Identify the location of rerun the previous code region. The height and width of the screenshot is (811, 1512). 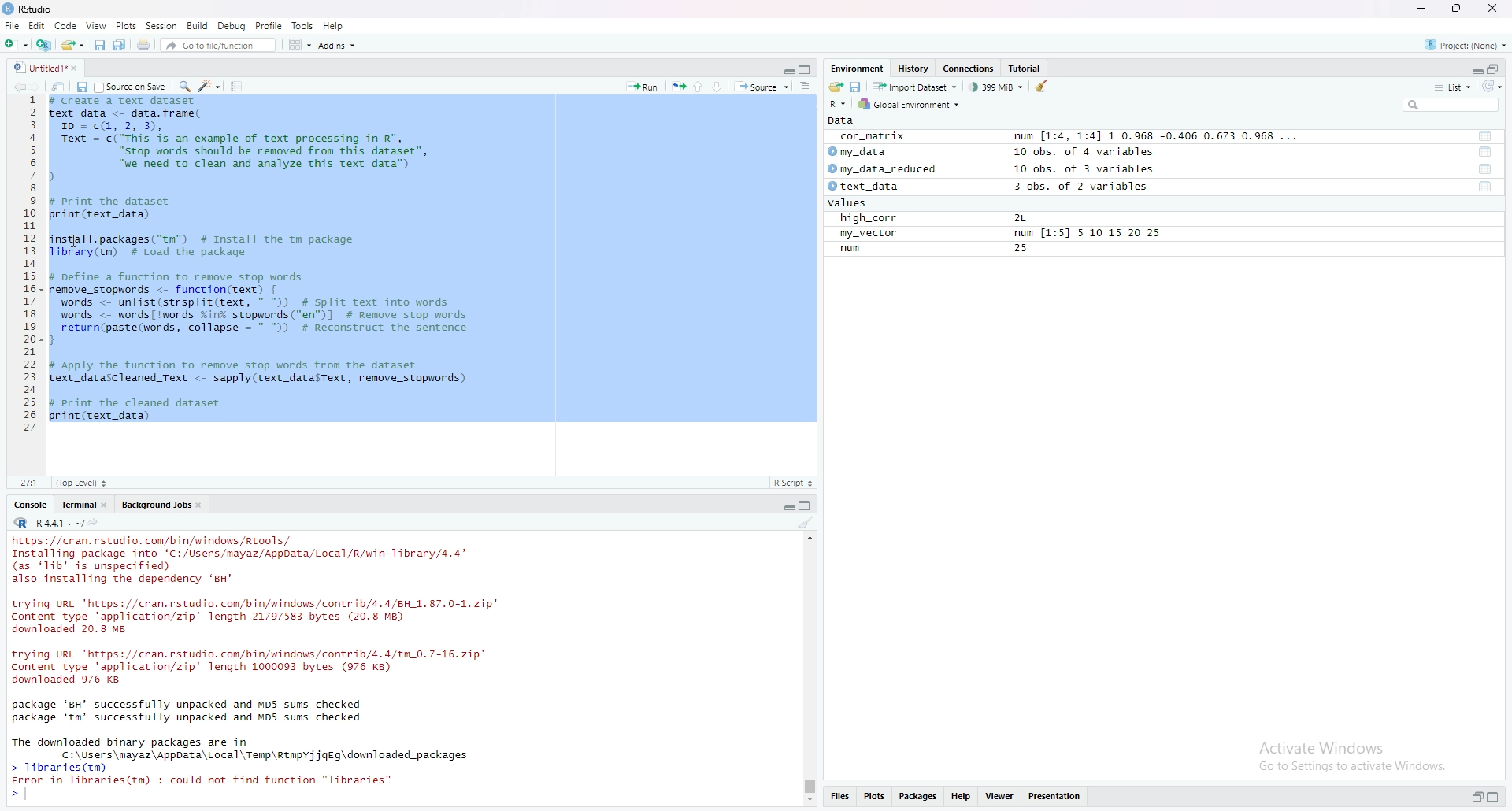
(678, 86).